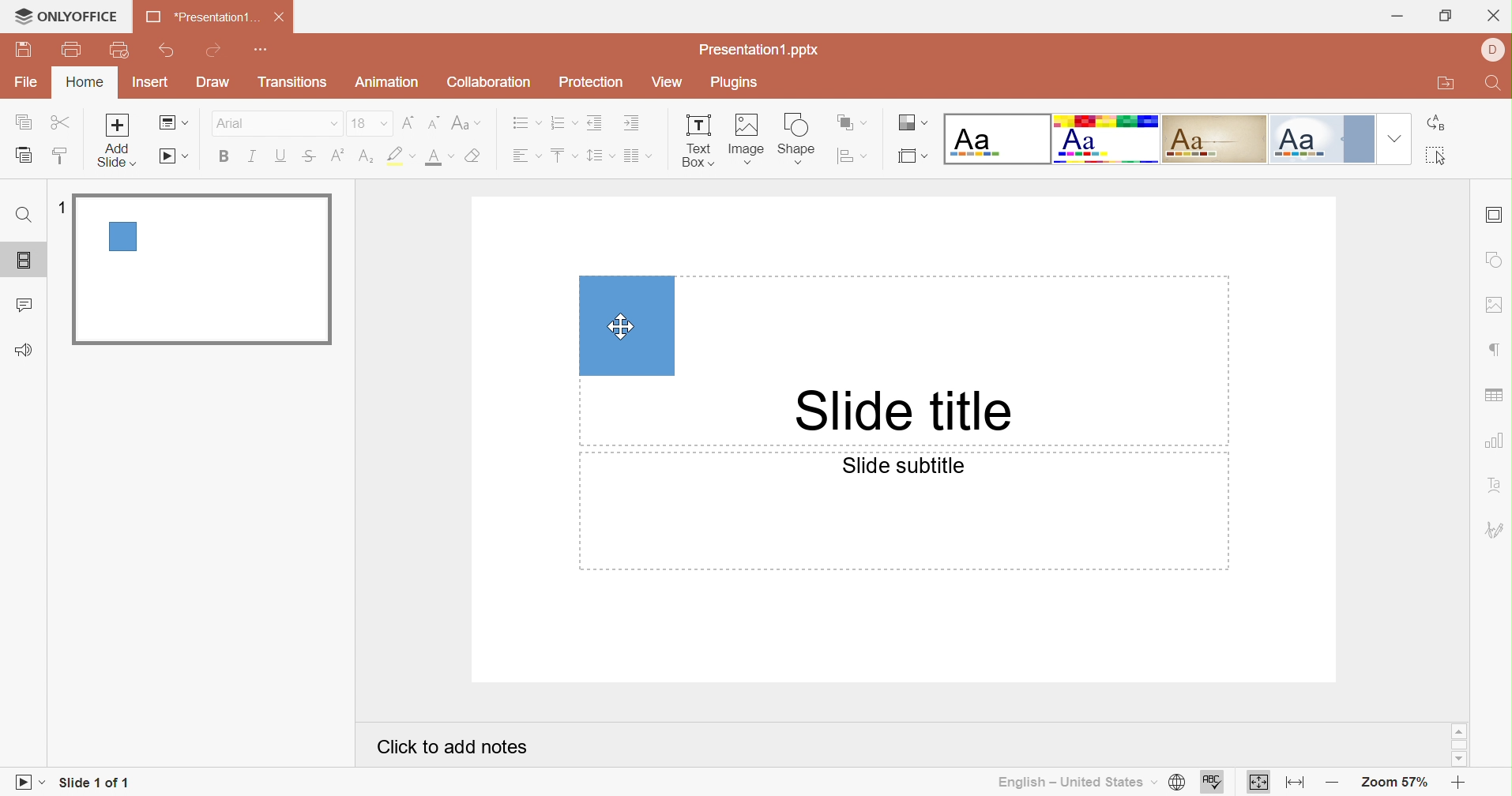  Describe the element at coordinates (1107, 139) in the screenshot. I see `Basic` at that location.